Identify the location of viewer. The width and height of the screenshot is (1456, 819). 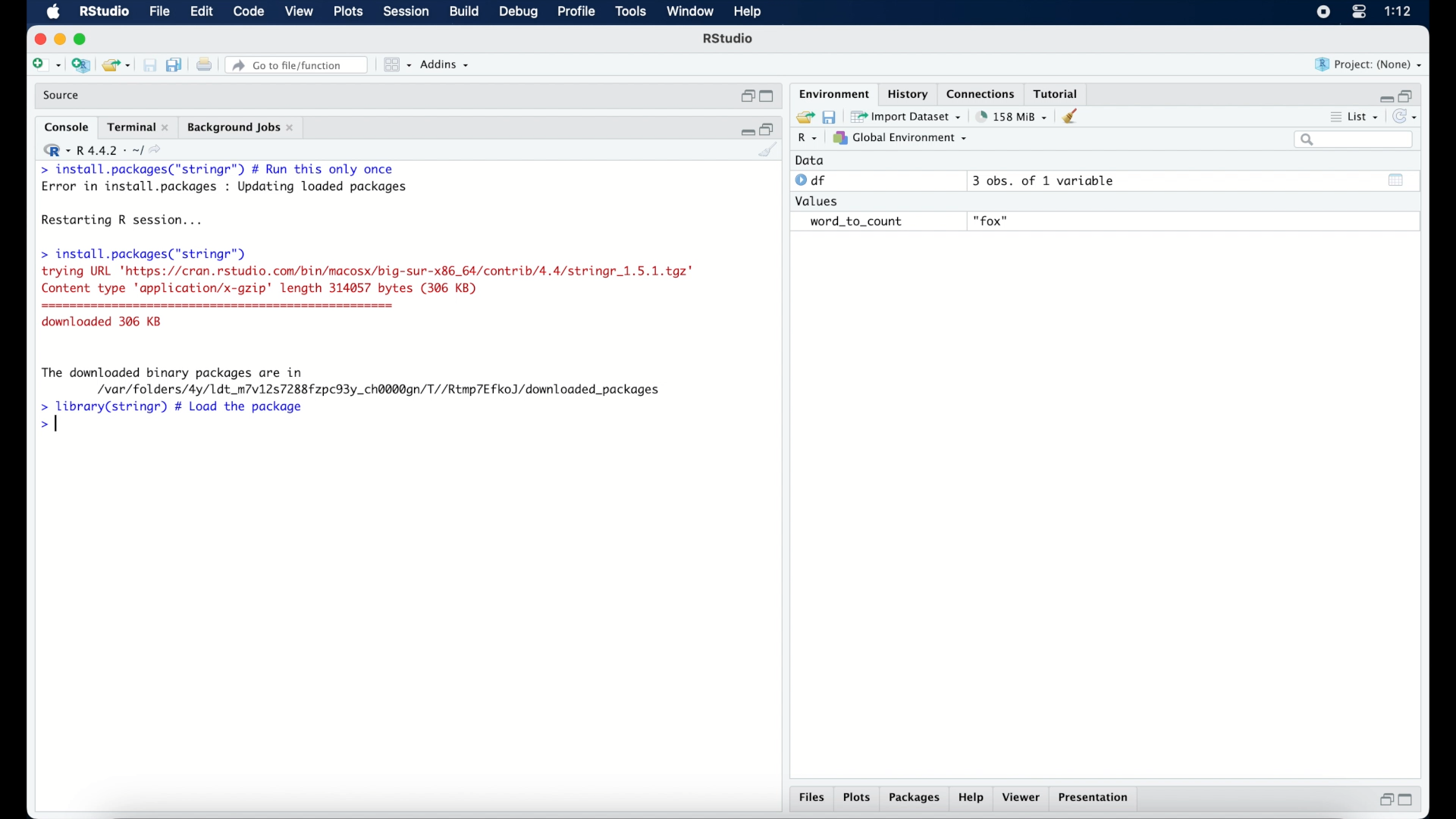
(1022, 798).